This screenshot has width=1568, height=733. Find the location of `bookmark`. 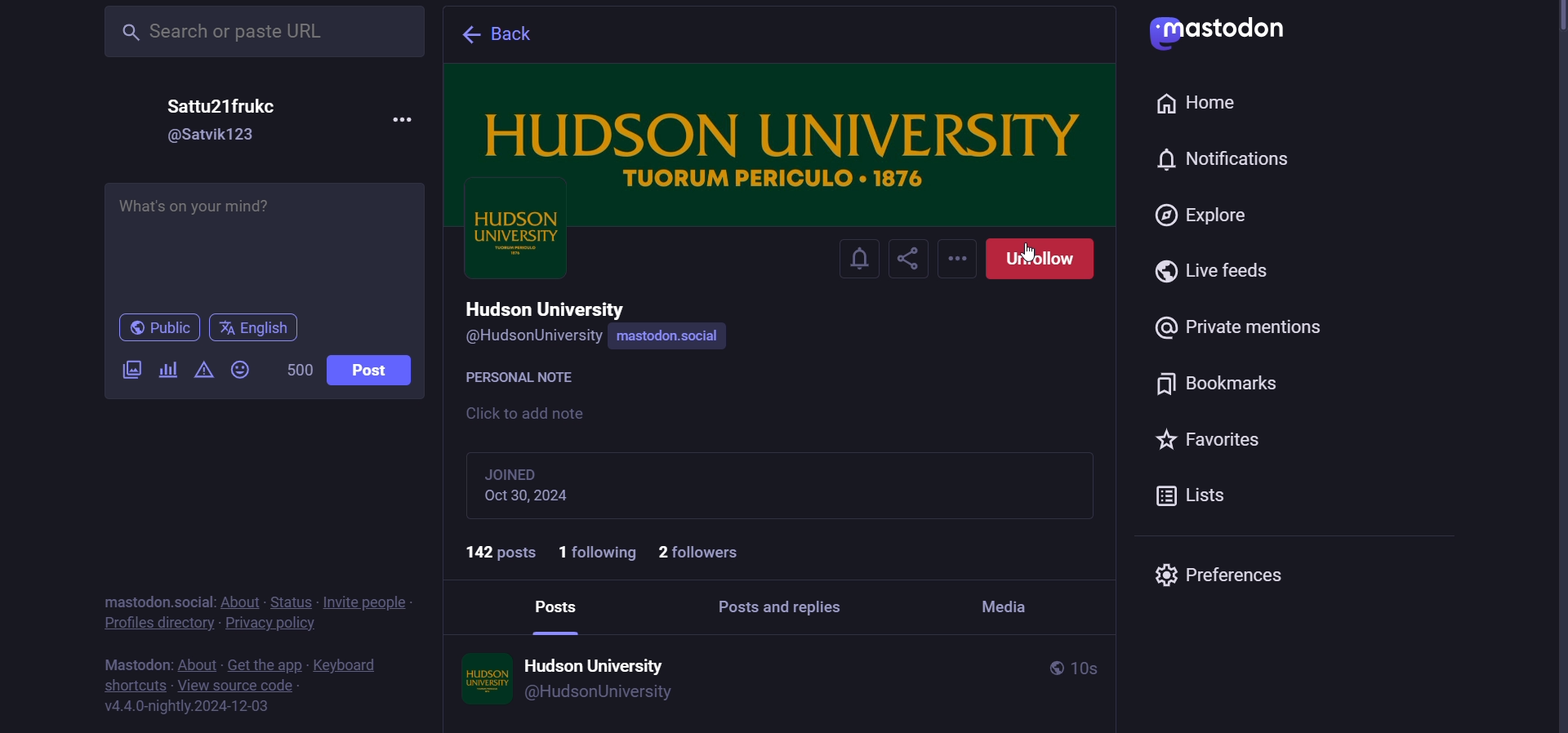

bookmark is located at coordinates (1229, 384).